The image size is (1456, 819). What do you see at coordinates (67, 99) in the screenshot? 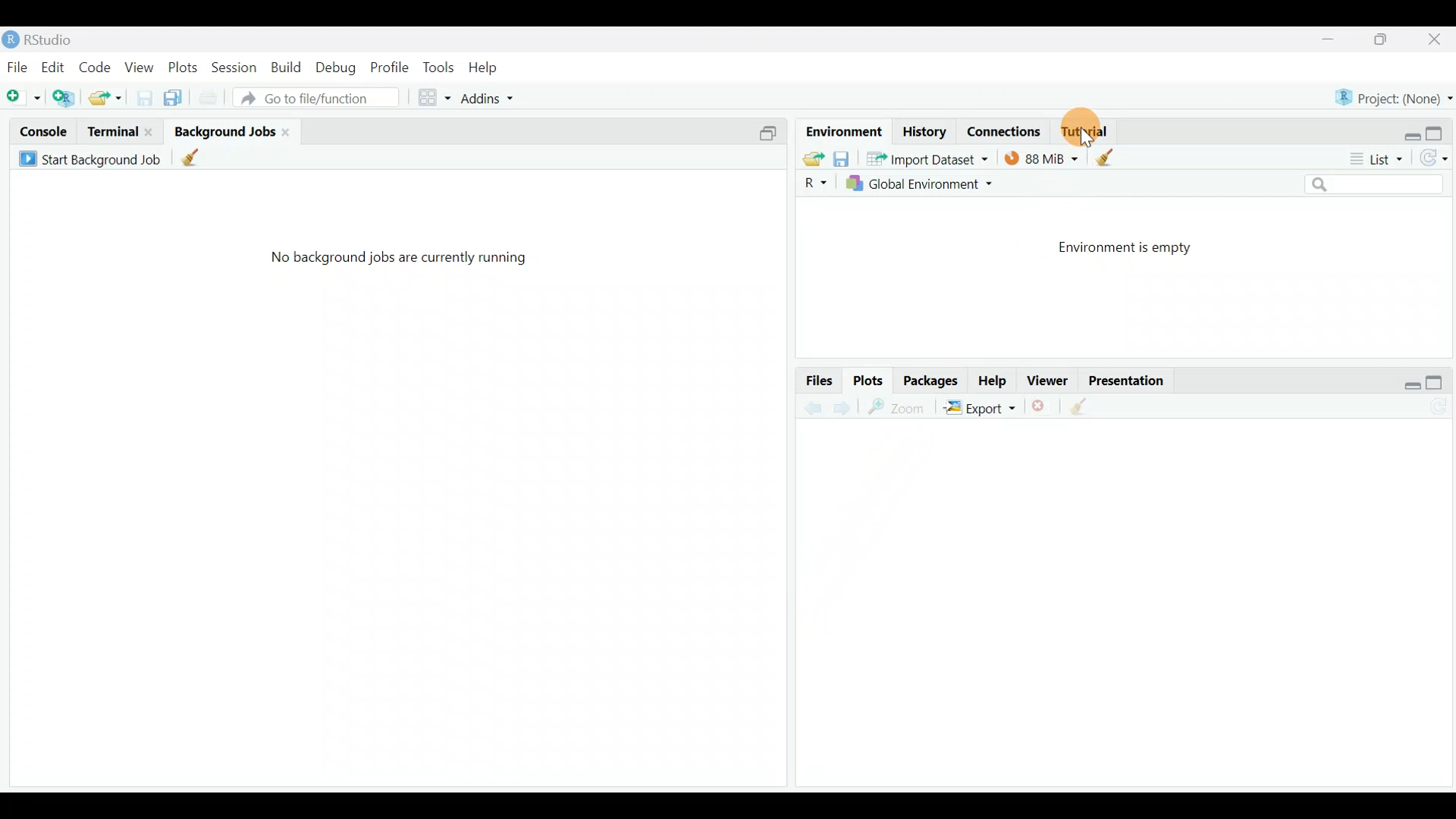
I see `Create a project` at bounding box center [67, 99].